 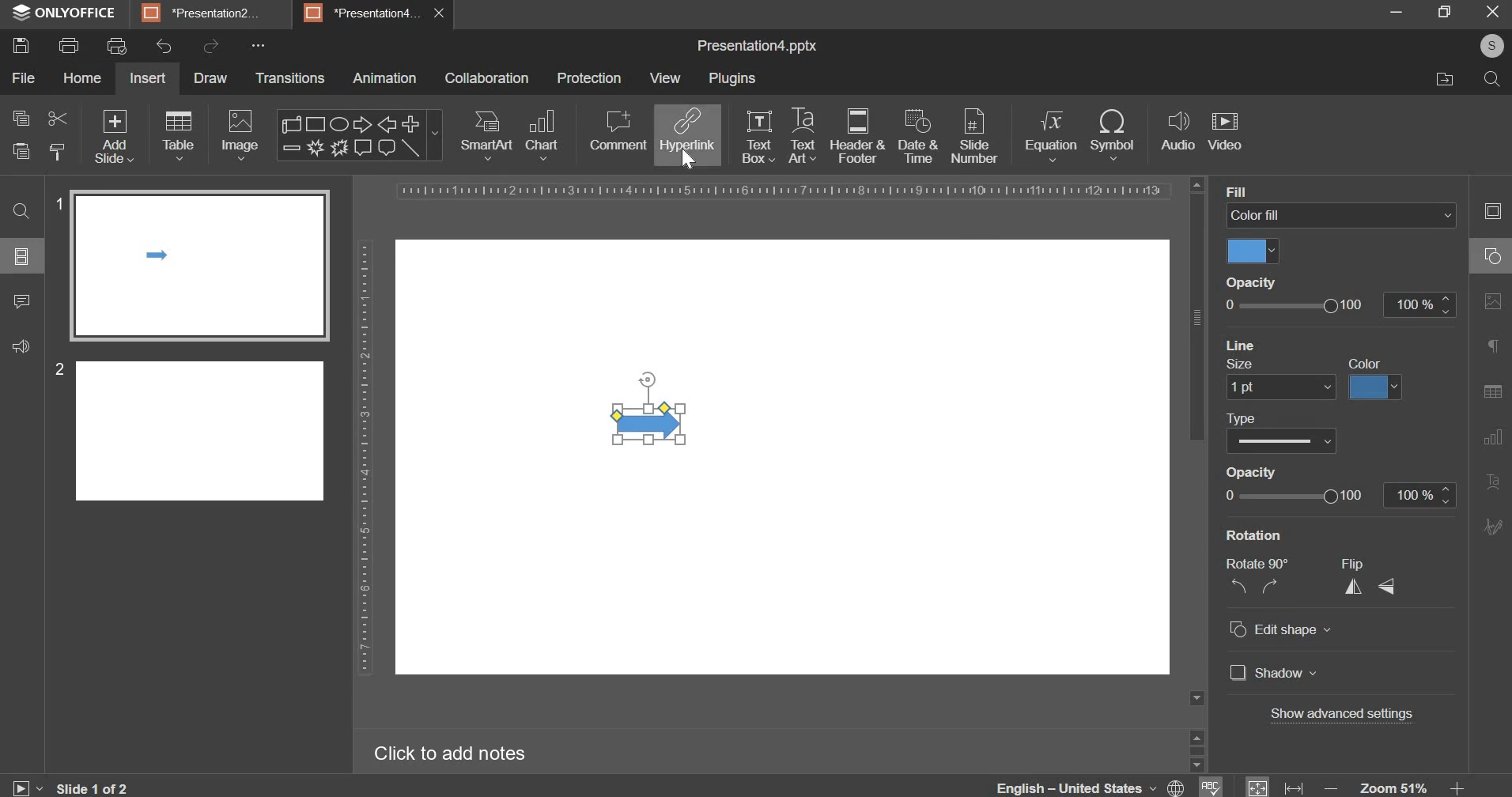 What do you see at coordinates (1249, 253) in the screenshot?
I see `color fill` at bounding box center [1249, 253].